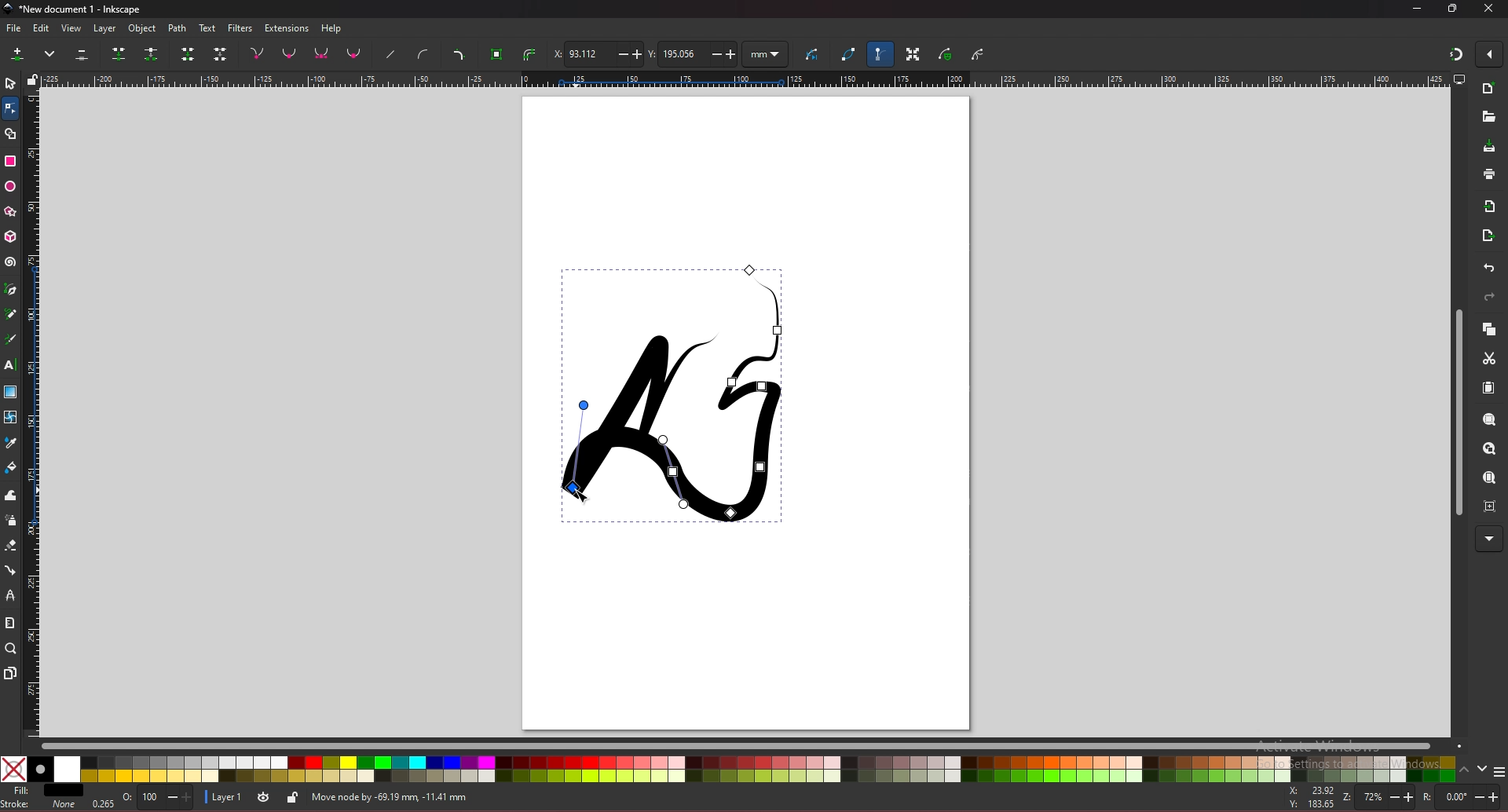  Describe the element at coordinates (1456, 54) in the screenshot. I see `snapping` at that location.